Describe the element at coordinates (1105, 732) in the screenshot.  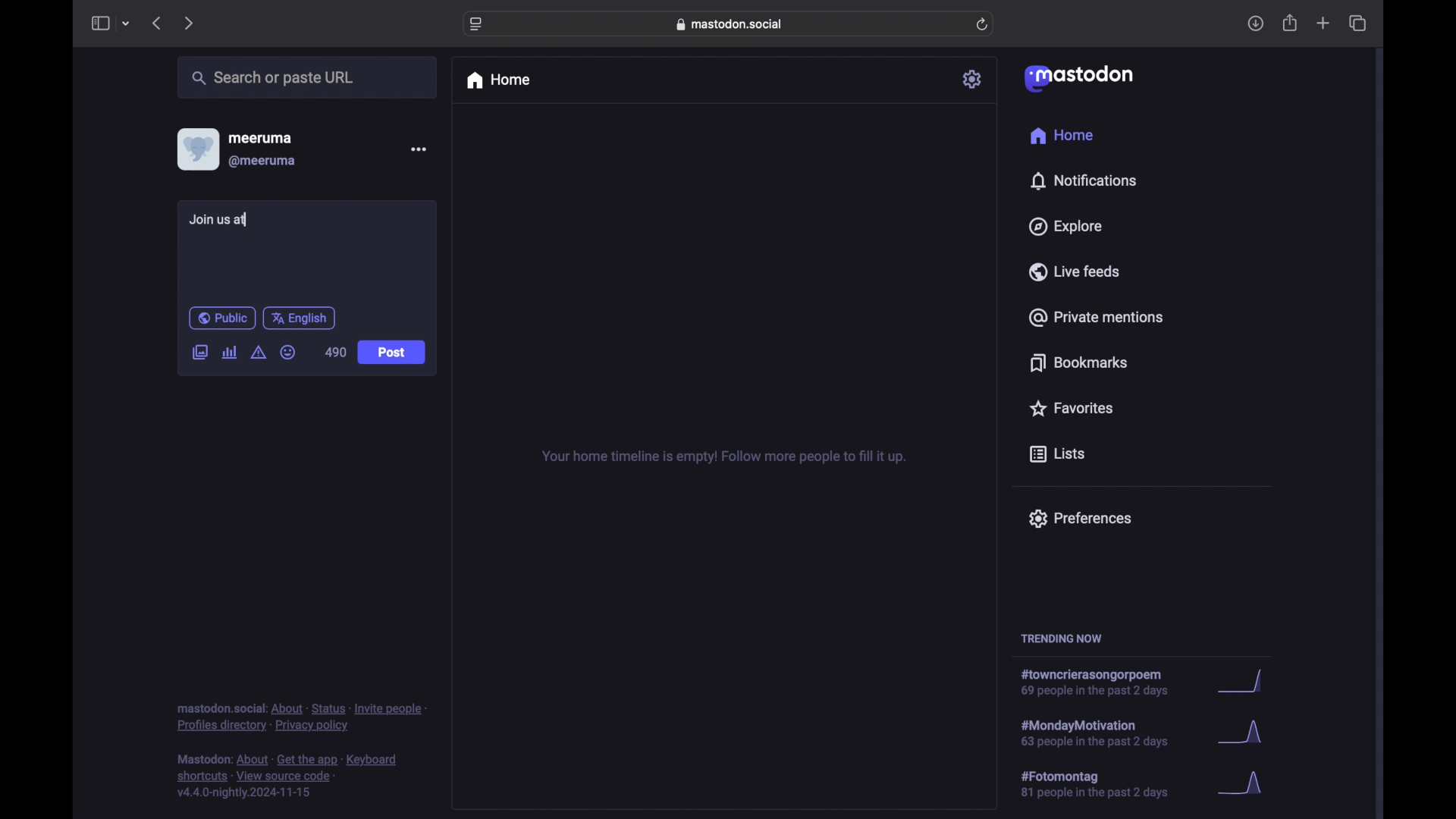
I see `hashtag trend` at that location.